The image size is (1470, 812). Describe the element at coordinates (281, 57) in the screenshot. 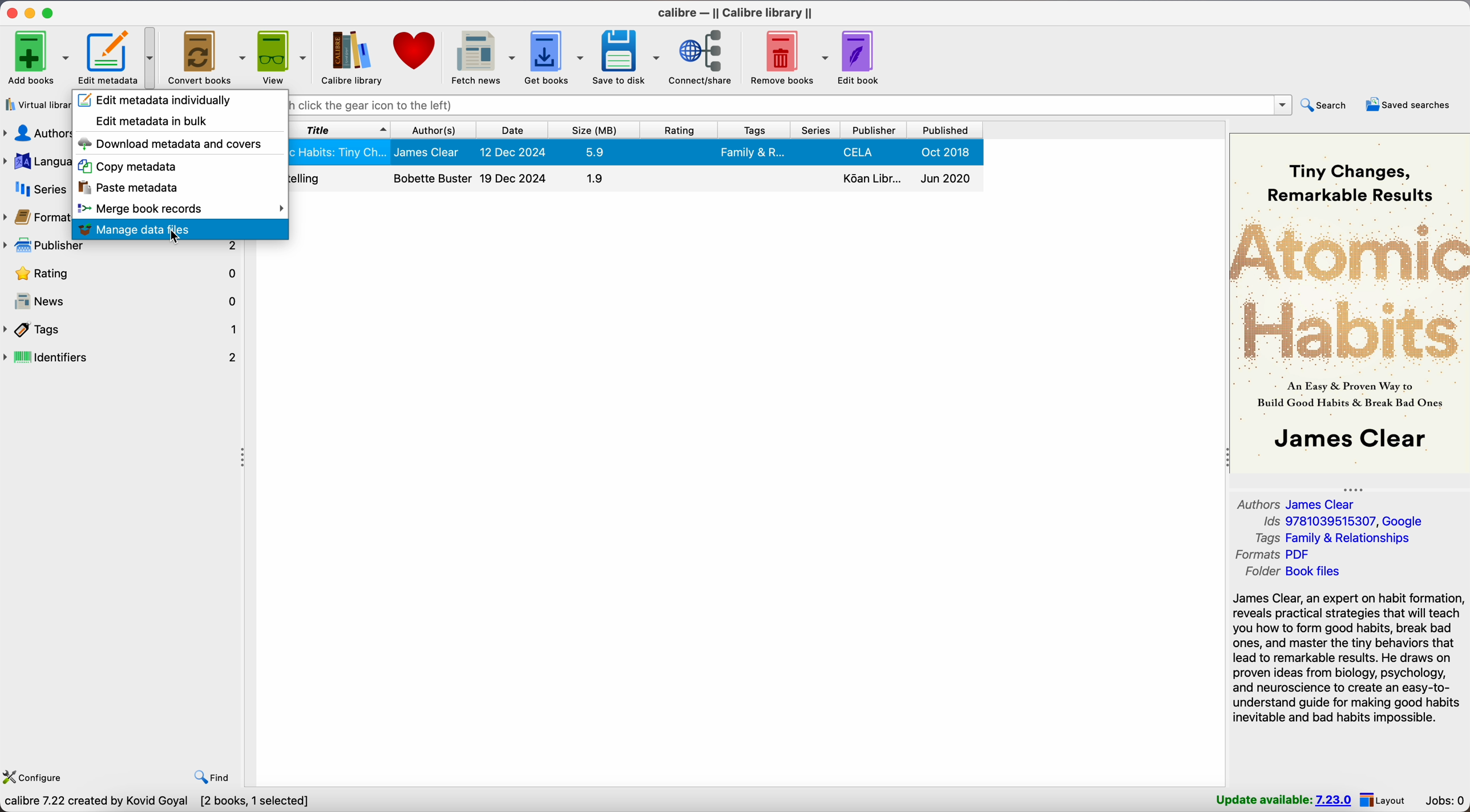

I see `view` at that location.